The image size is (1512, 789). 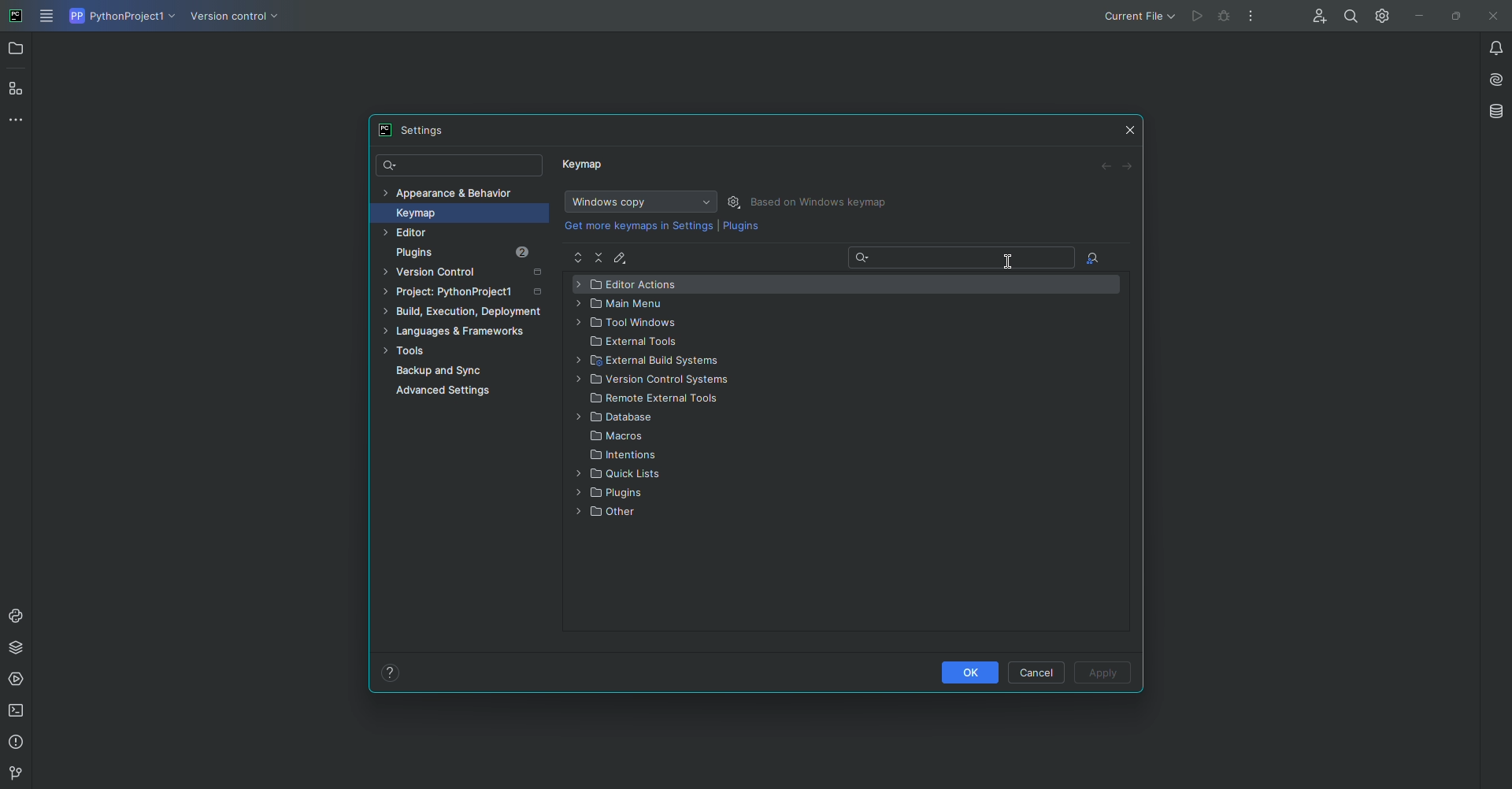 What do you see at coordinates (636, 343) in the screenshot?
I see `External Tools` at bounding box center [636, 343].